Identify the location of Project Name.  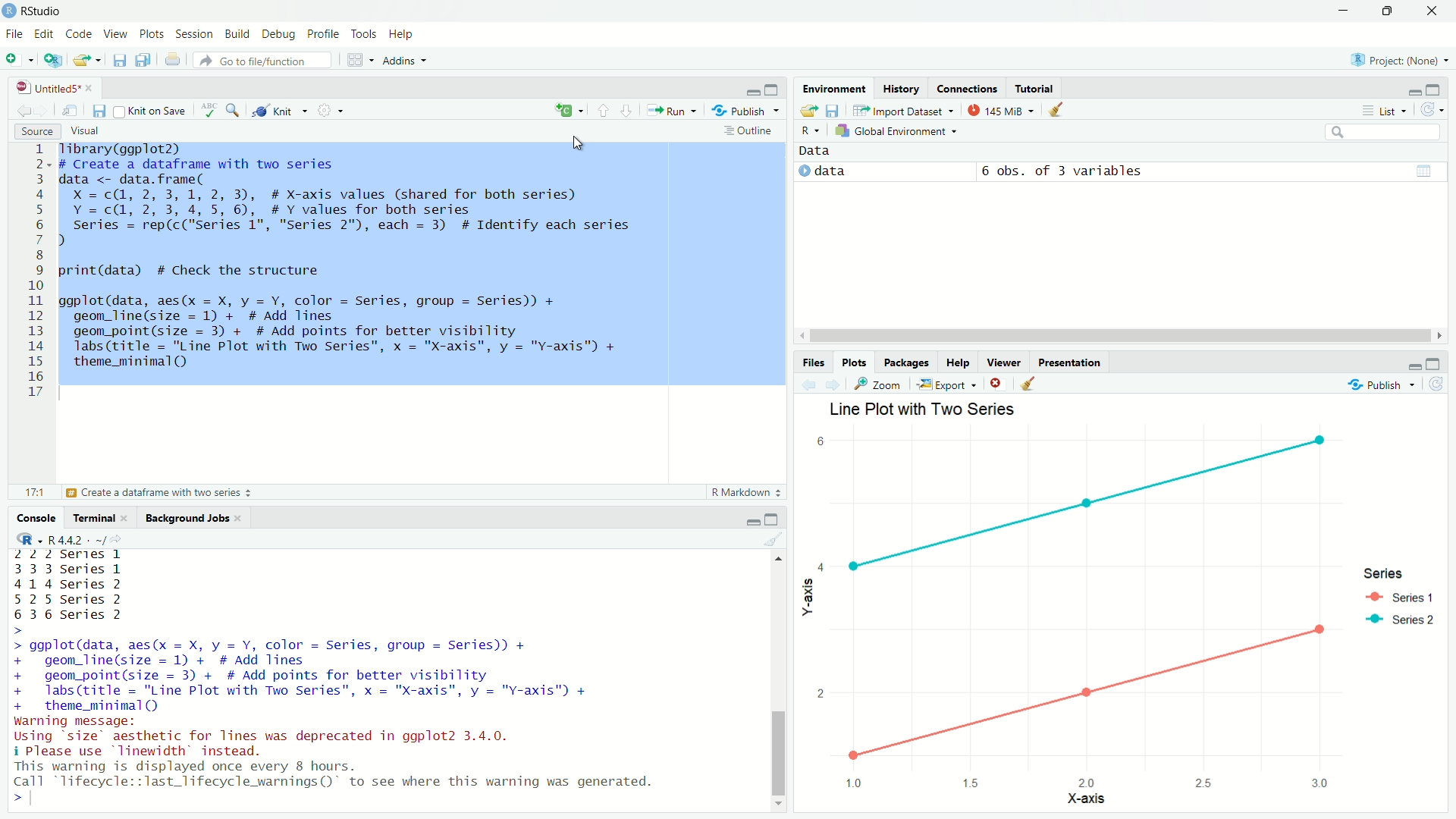
(1398, 62).